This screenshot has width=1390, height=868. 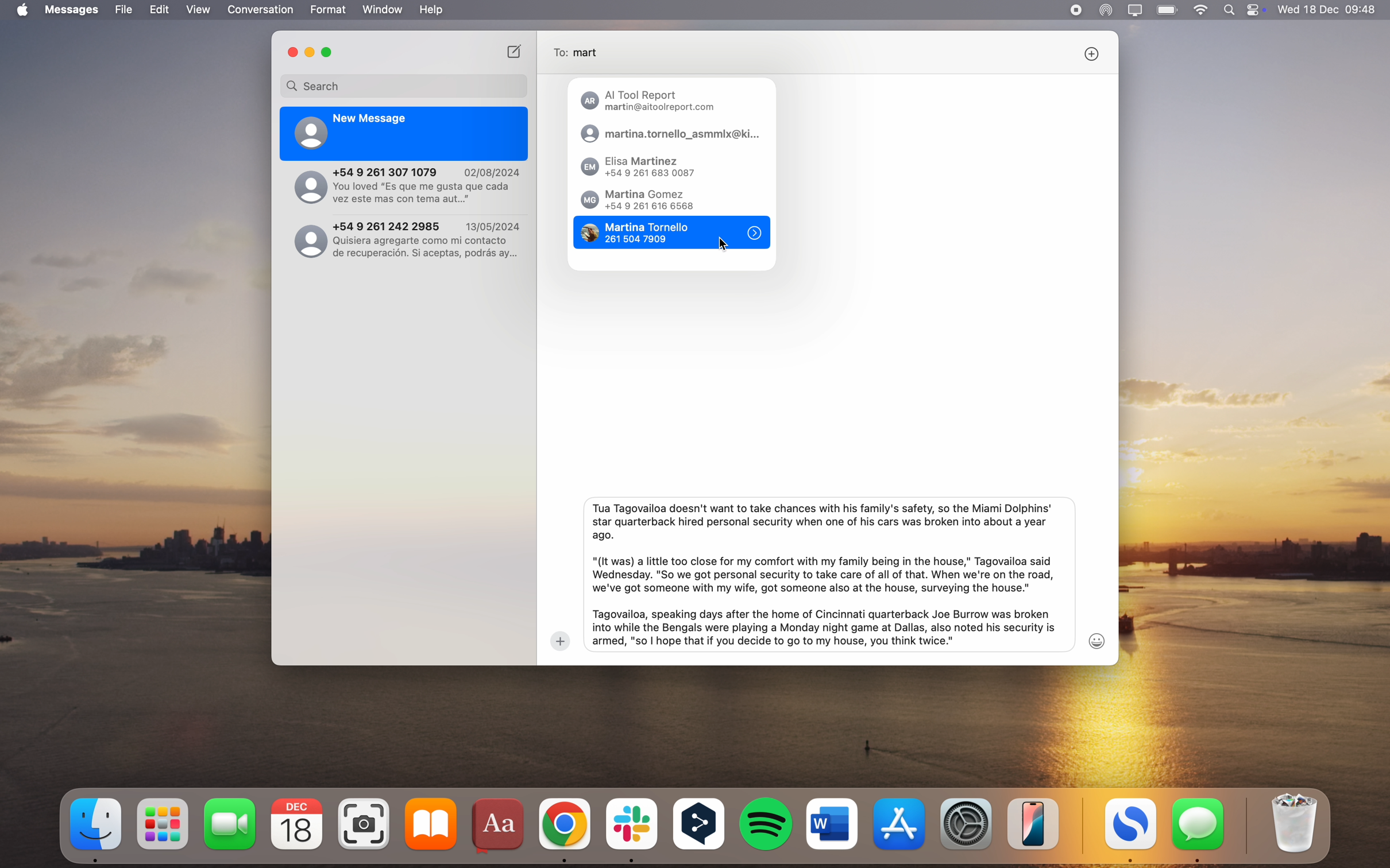 What do you see at coordinates (366, 824) in the screenshot?
I see `screenshot` at bounding box center [366, 824].